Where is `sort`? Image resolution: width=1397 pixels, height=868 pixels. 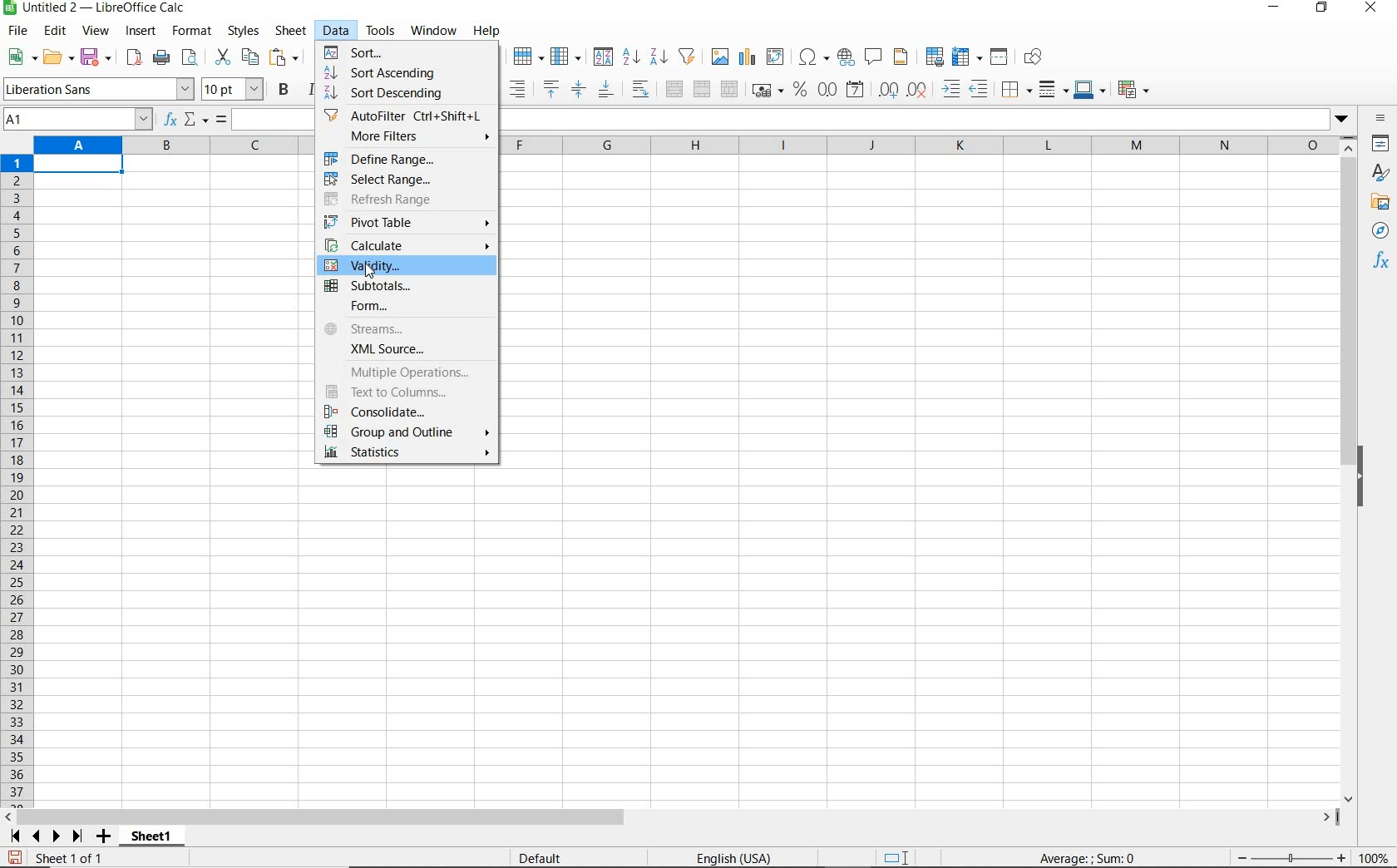 sort is located at coordinates (603, 58).